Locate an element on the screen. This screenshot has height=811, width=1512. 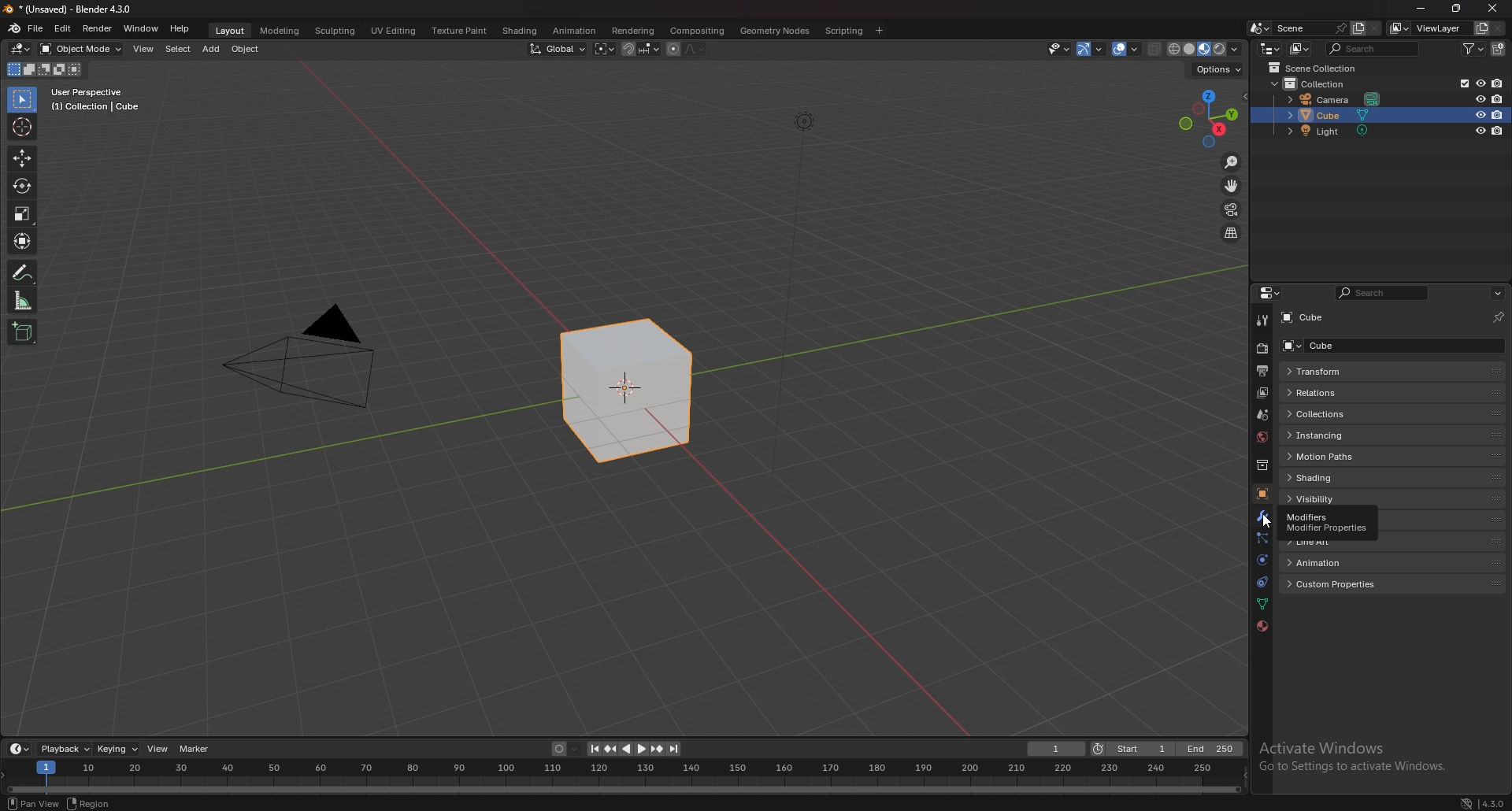
physics is located at coordinates (1262, 561).